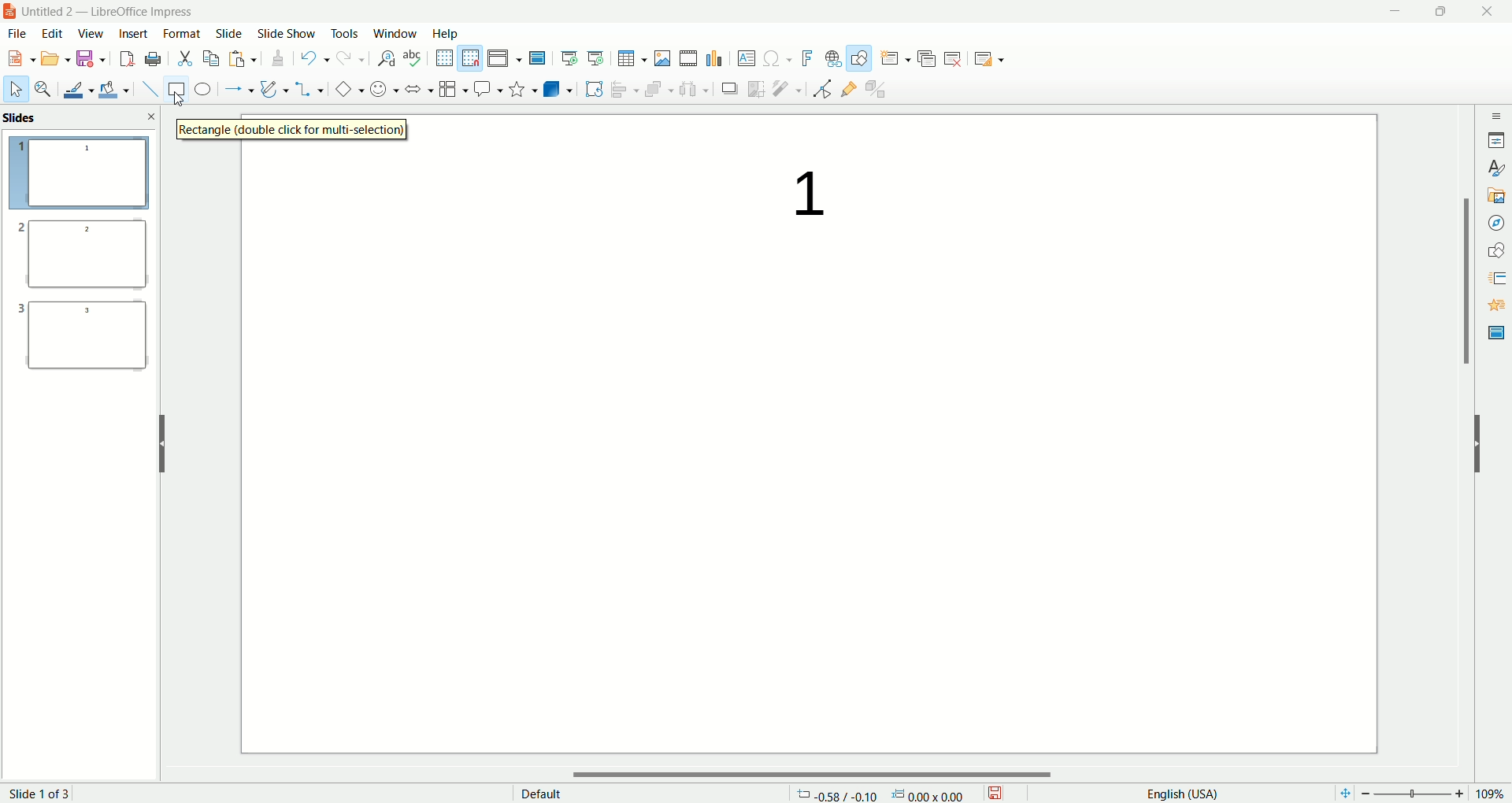 The width and height of the screenshot is (1512, 803). I want to click on slides, so click(24, 118).